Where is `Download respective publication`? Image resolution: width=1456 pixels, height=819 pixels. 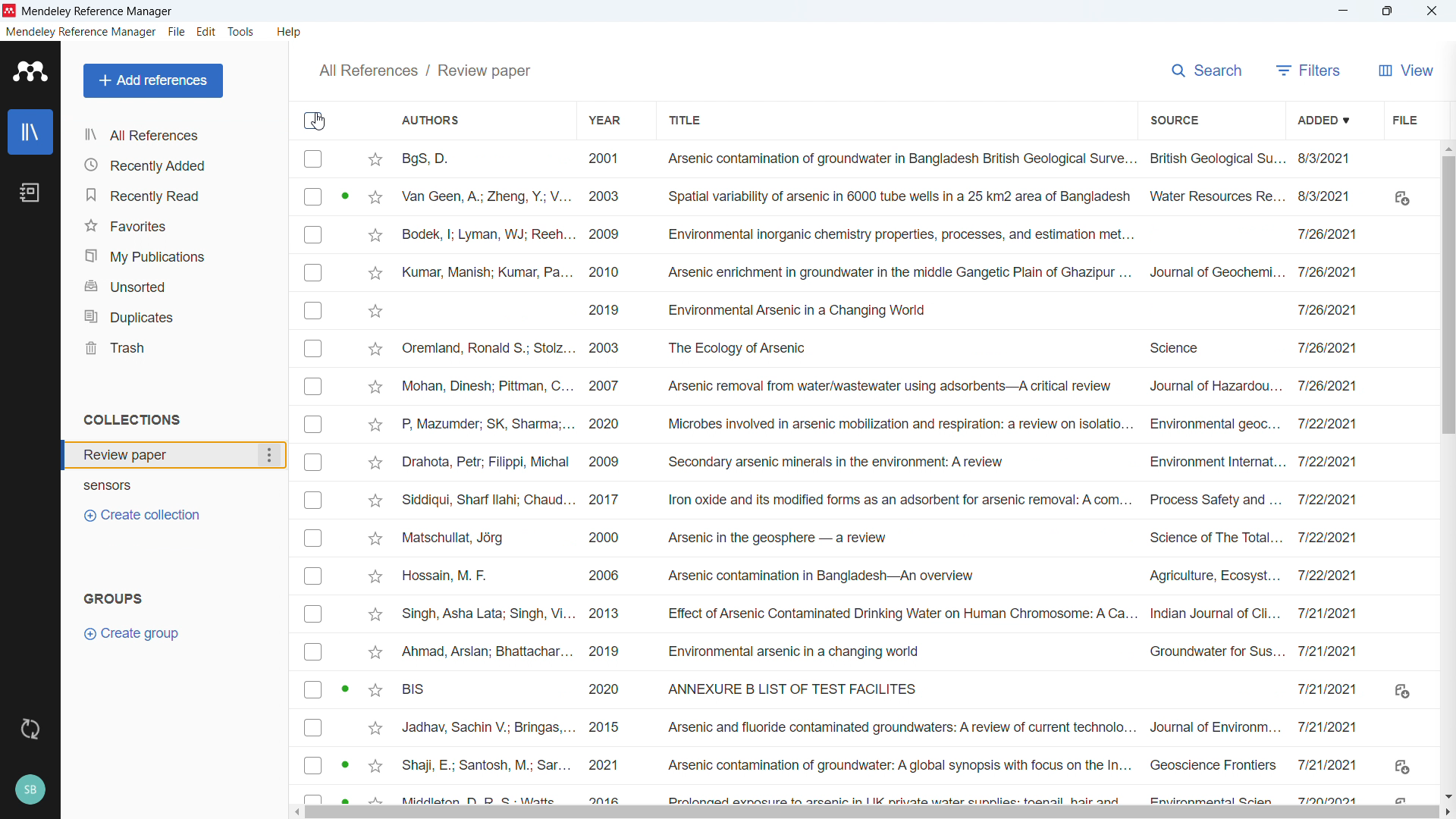 Download respective publication is located at coordinates (1402, 692).